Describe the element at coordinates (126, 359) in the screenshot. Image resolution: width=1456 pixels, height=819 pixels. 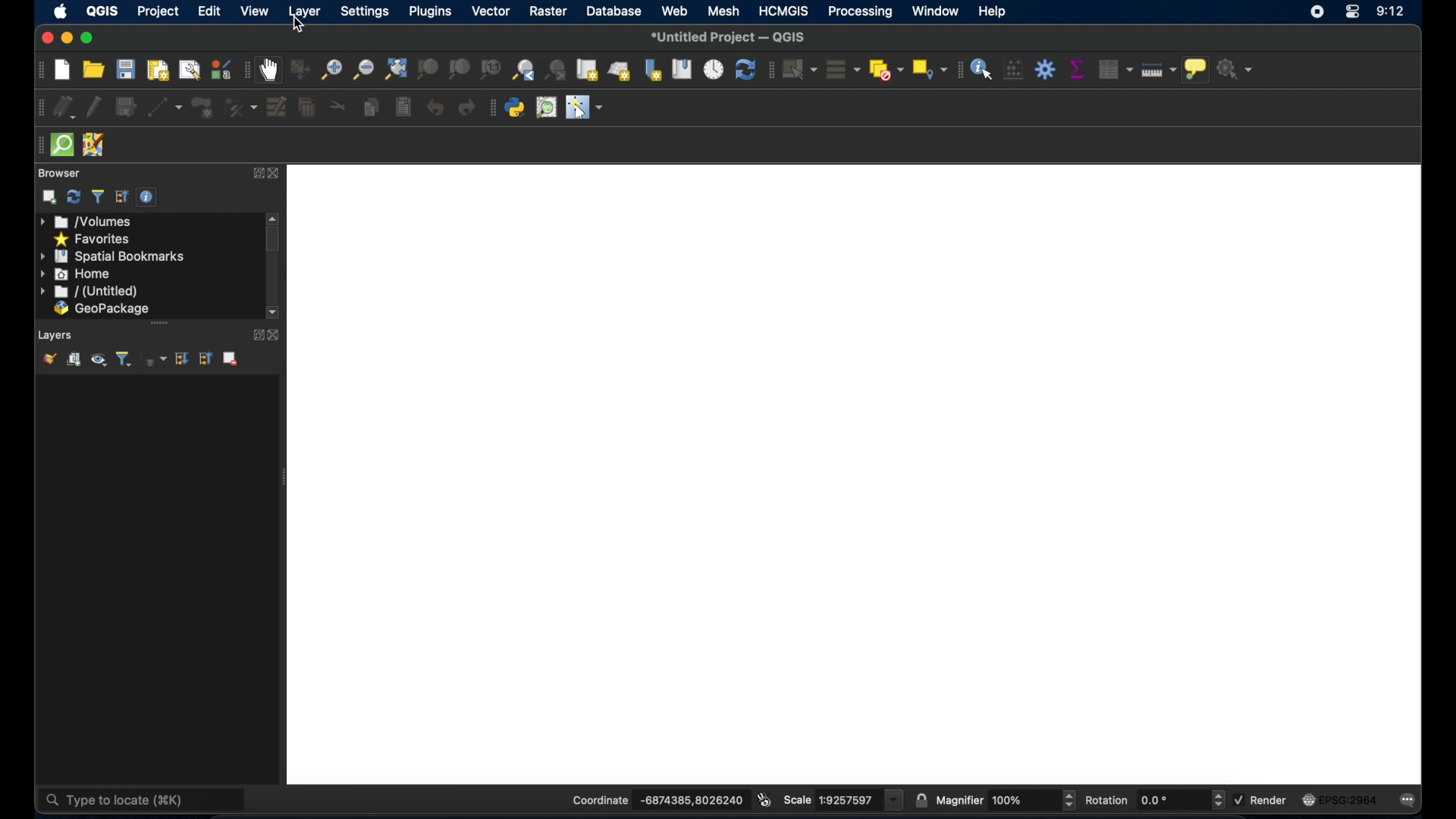
I see `filter legend` at that location.